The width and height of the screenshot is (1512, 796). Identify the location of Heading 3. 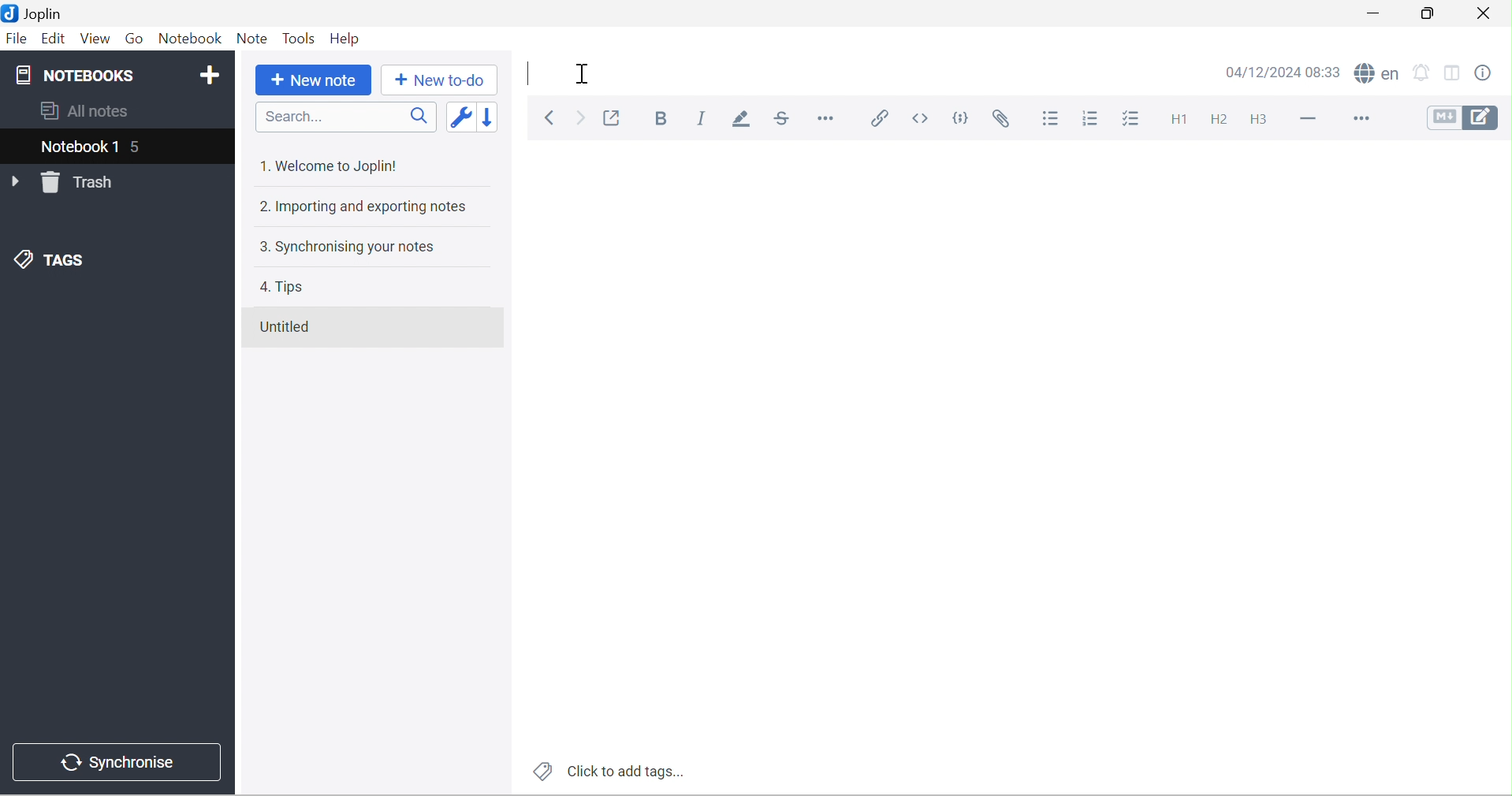
(1261, 120).